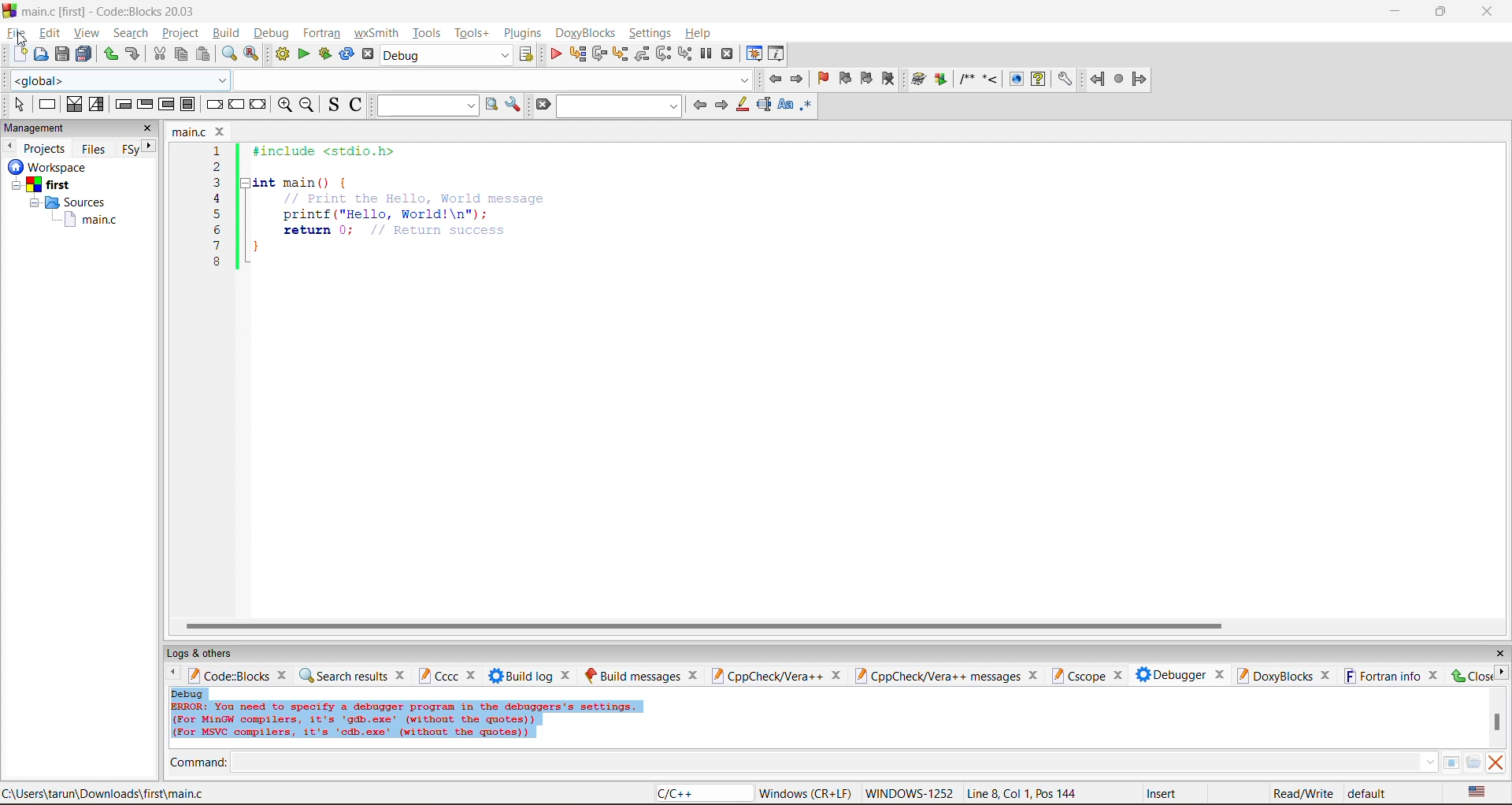 The height and width of the screenshot is (805, 1512). I want to click on selection, so click(97, 105).